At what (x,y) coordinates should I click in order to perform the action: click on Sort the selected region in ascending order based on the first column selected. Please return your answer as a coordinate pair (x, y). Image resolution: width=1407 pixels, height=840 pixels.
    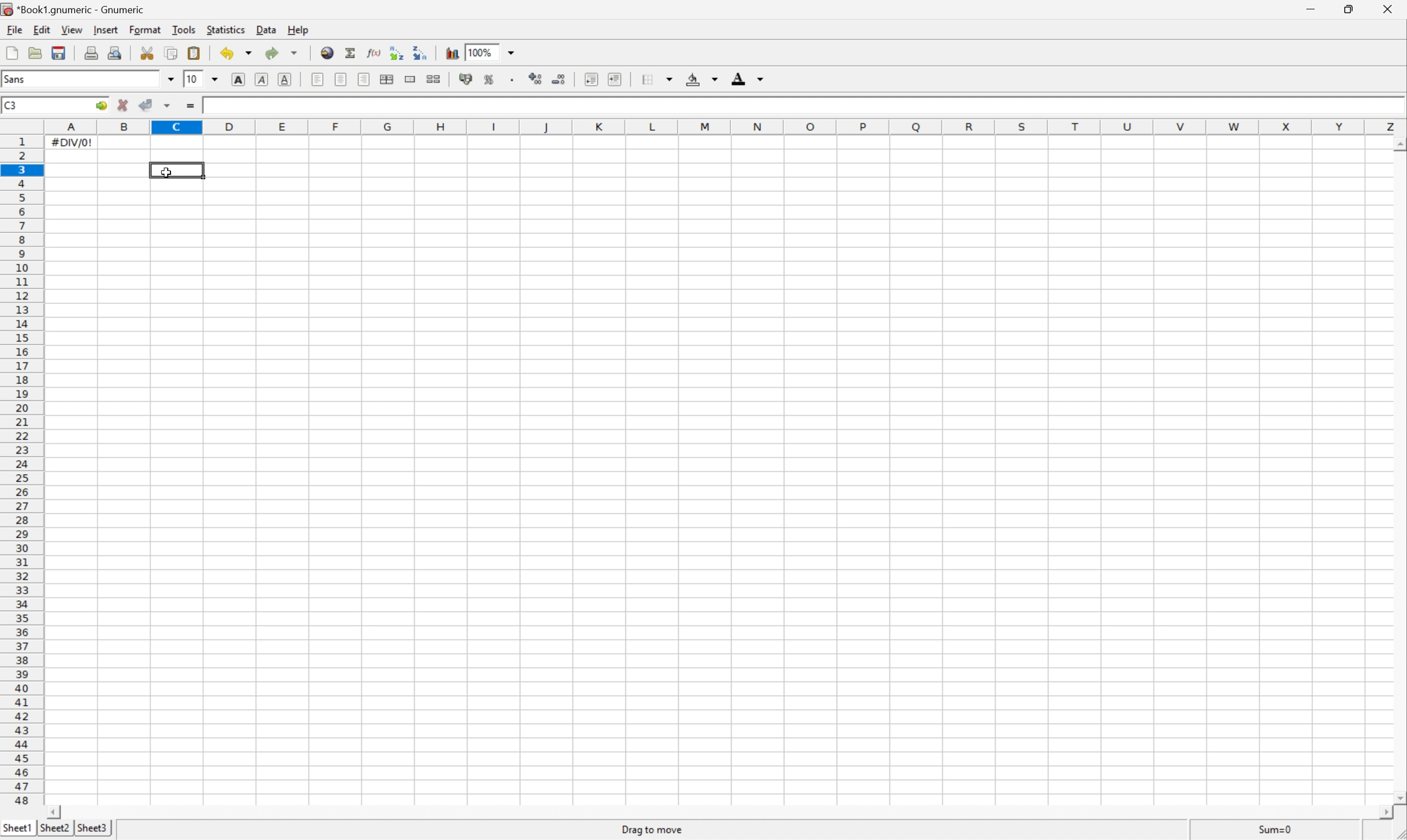
    Looking at the image, I should click on (395, 53).